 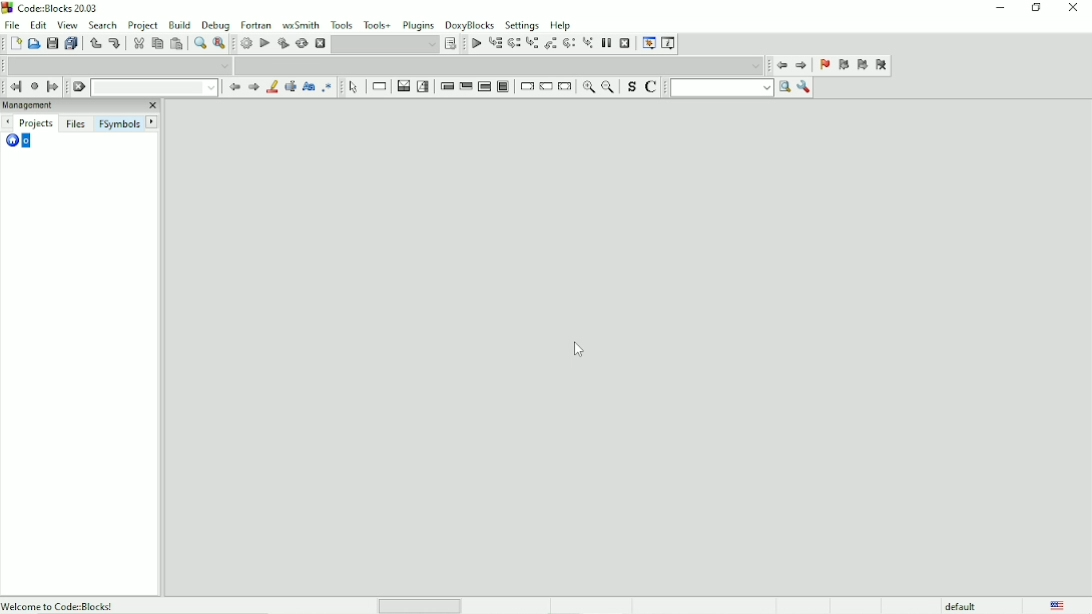 What do you see at coordinates (144, 25) in the screenshot?
I see `Project` at bounding box center [144, 25].